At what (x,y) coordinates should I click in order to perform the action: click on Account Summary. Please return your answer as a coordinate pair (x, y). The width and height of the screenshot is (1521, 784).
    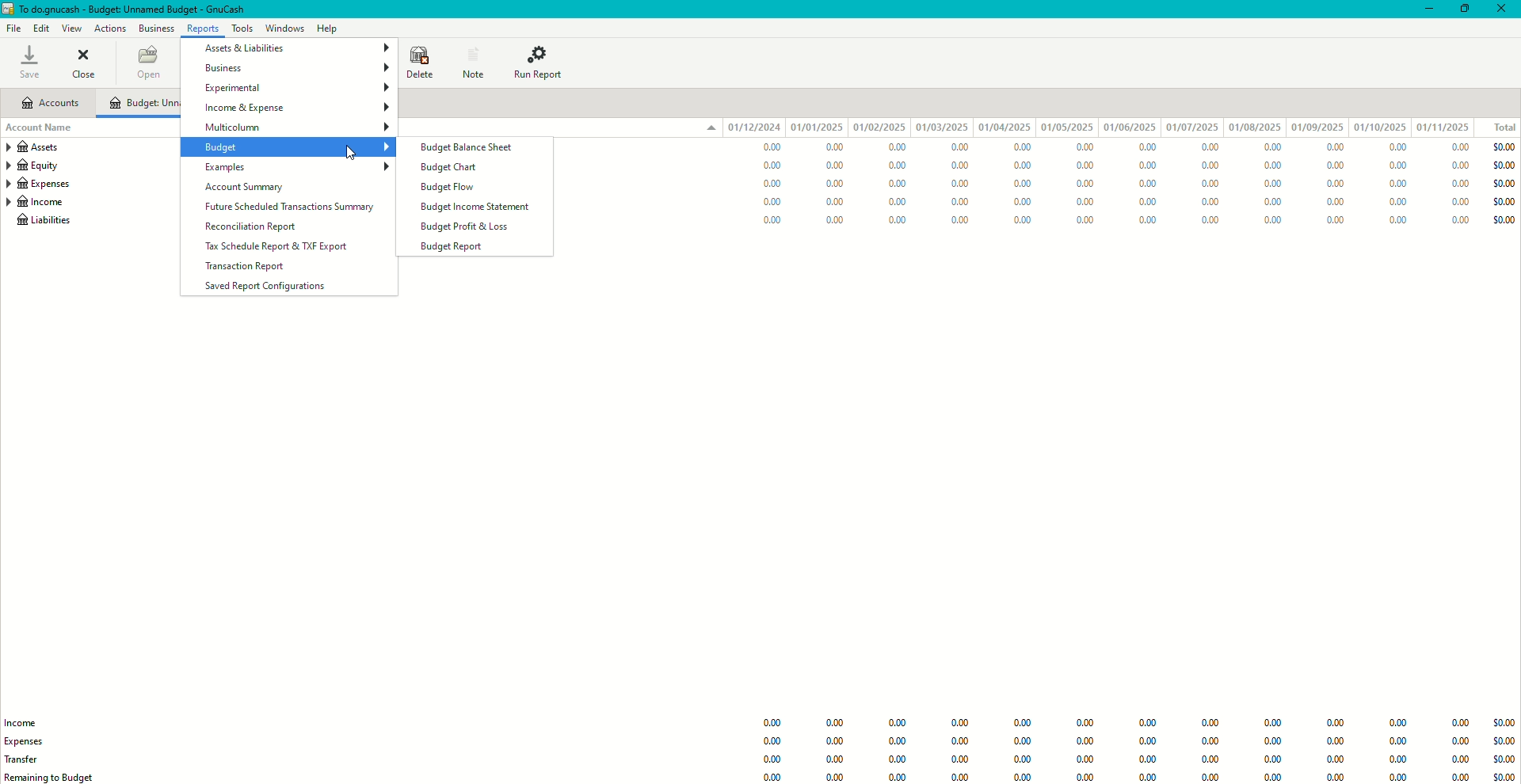
    Looking at the image, I should click on (251, 186).